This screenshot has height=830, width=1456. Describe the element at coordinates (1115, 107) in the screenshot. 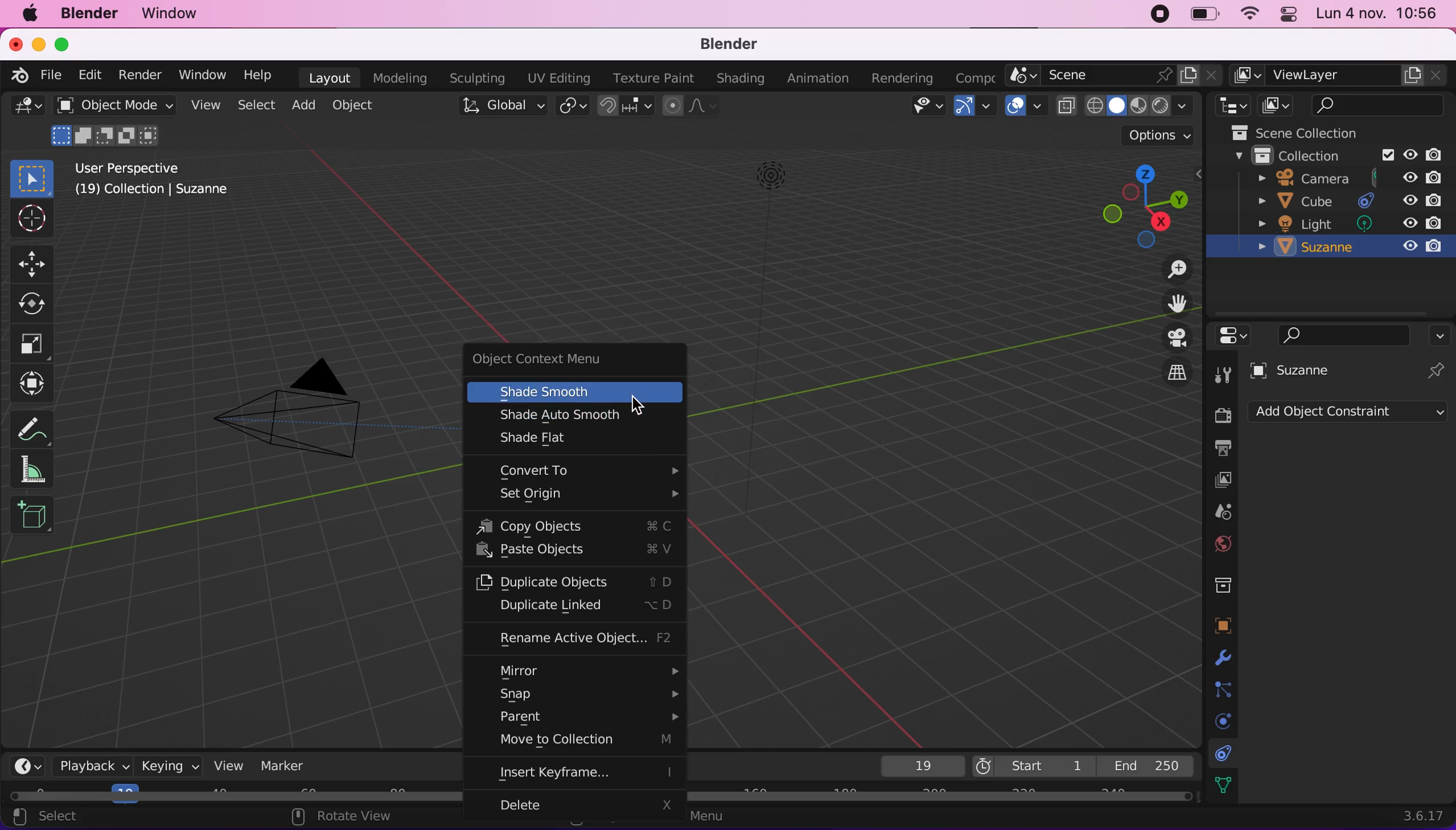

I see `solid display` at that location.